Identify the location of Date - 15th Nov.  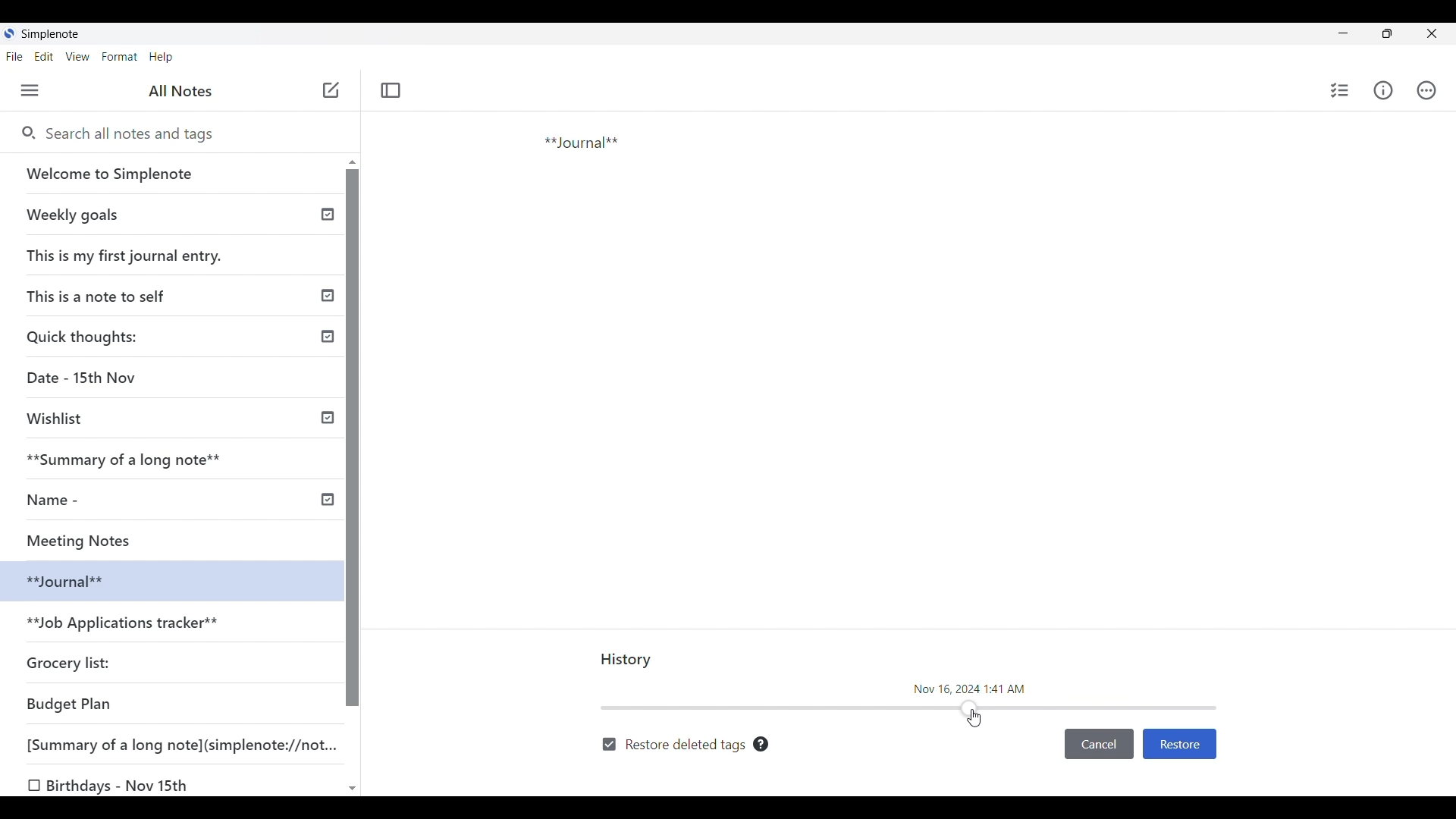
(84, 378).